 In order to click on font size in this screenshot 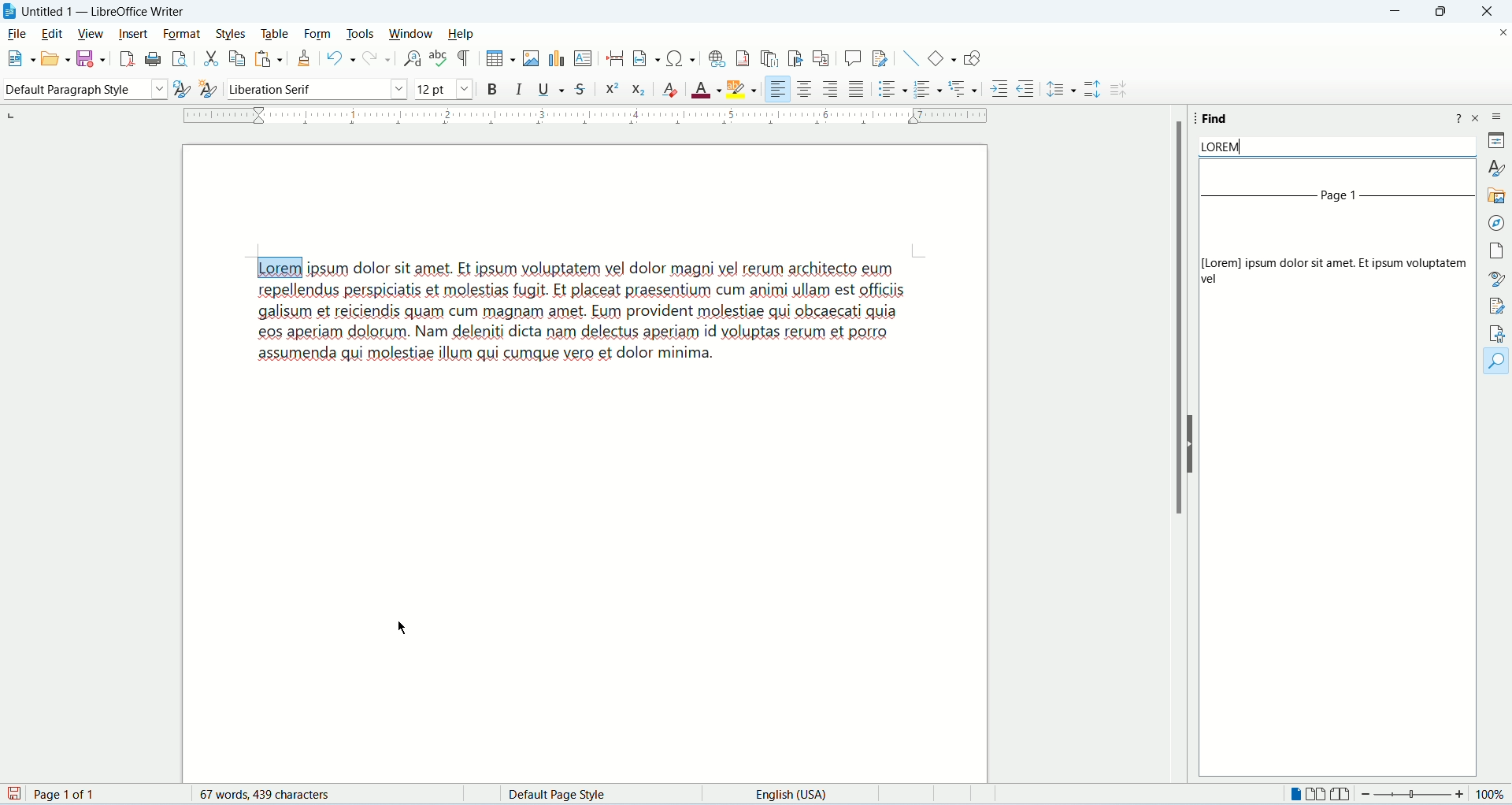, I will do `click(442, 89)`.